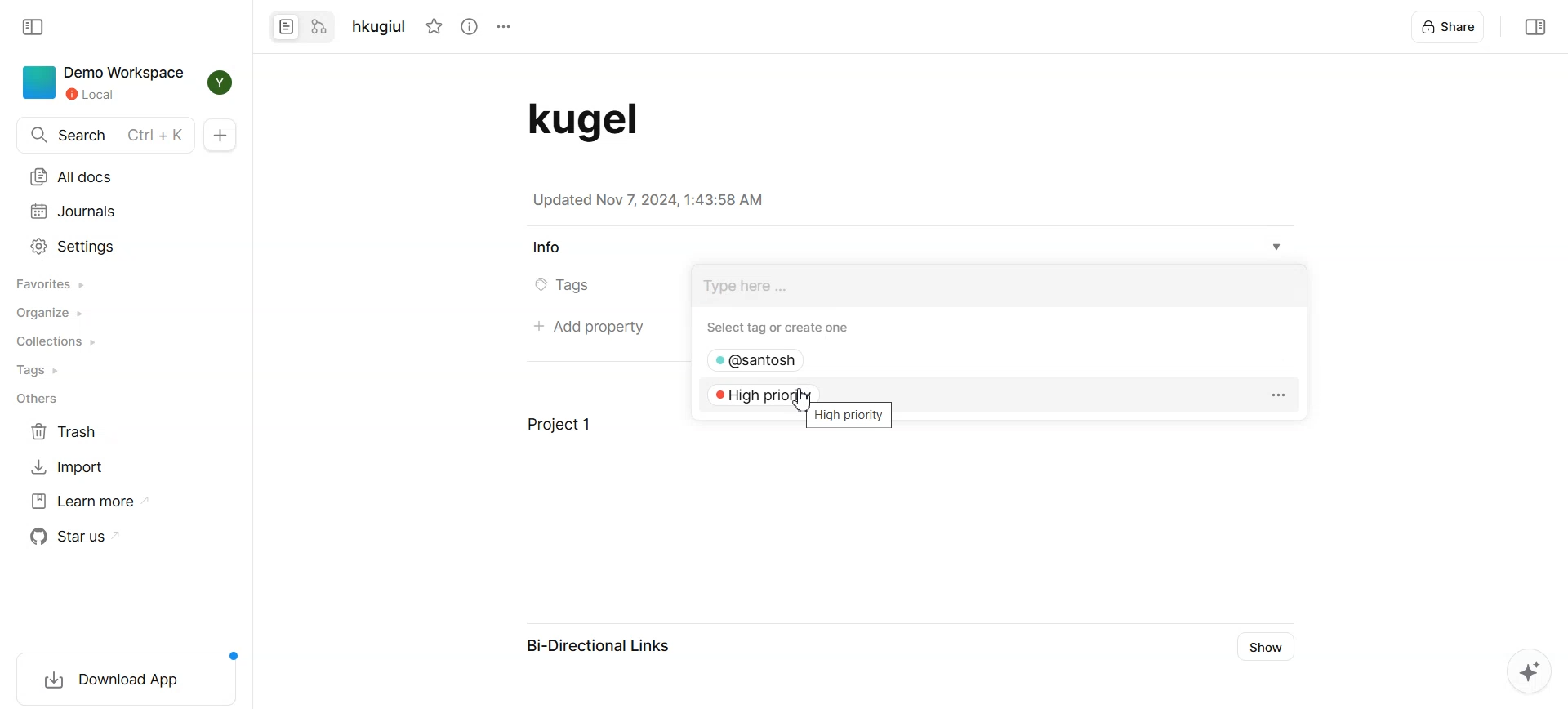 The height and width of the screenshot is (709, 1568). I want to click on Share, so click(1450, 27).